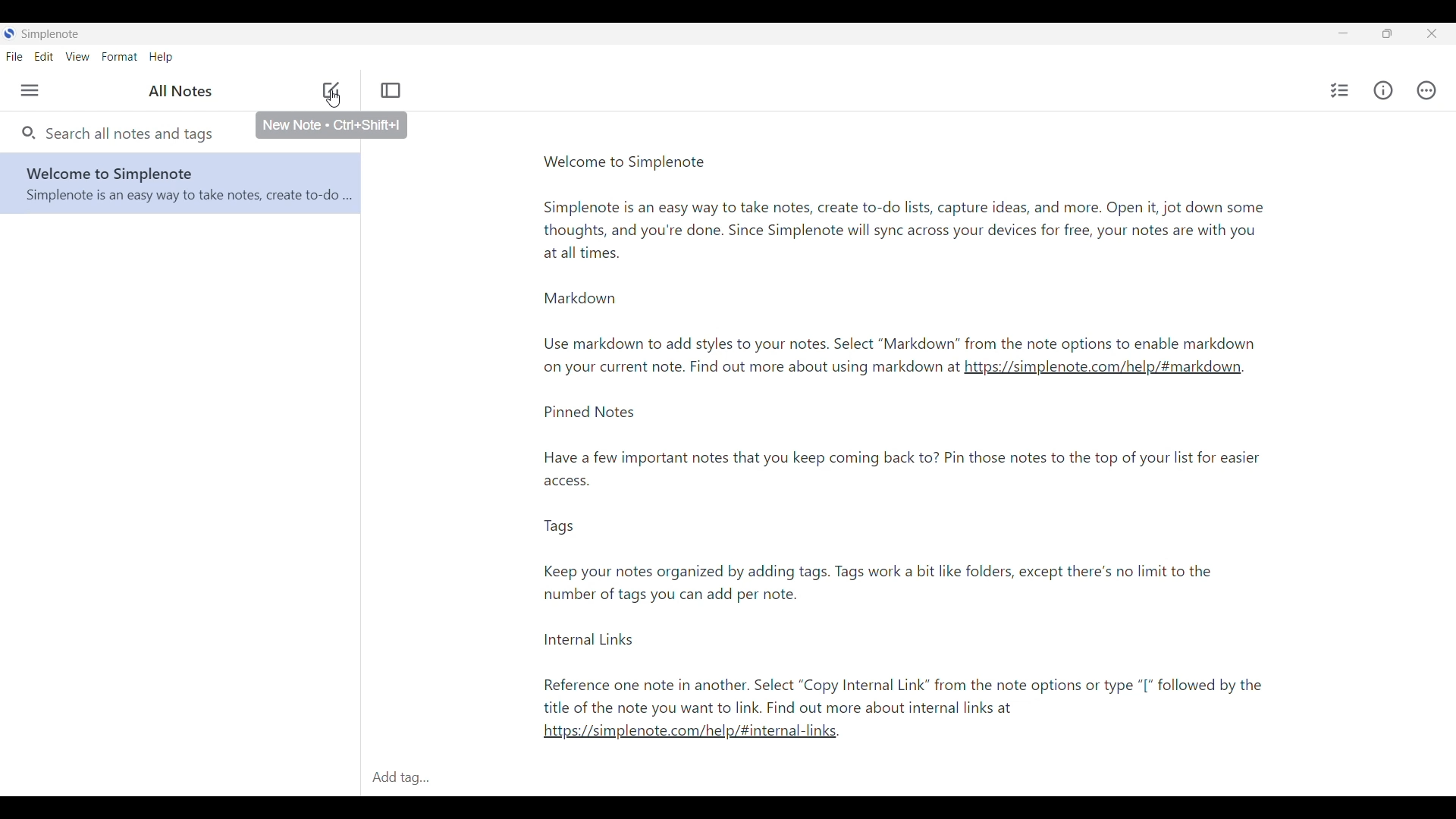 Image resolution: width=1456 pixels, height=819 pixels. What do you see at coordinates (77, 57) in the screenshot?
I see `View` at bounding box center [77, 57].